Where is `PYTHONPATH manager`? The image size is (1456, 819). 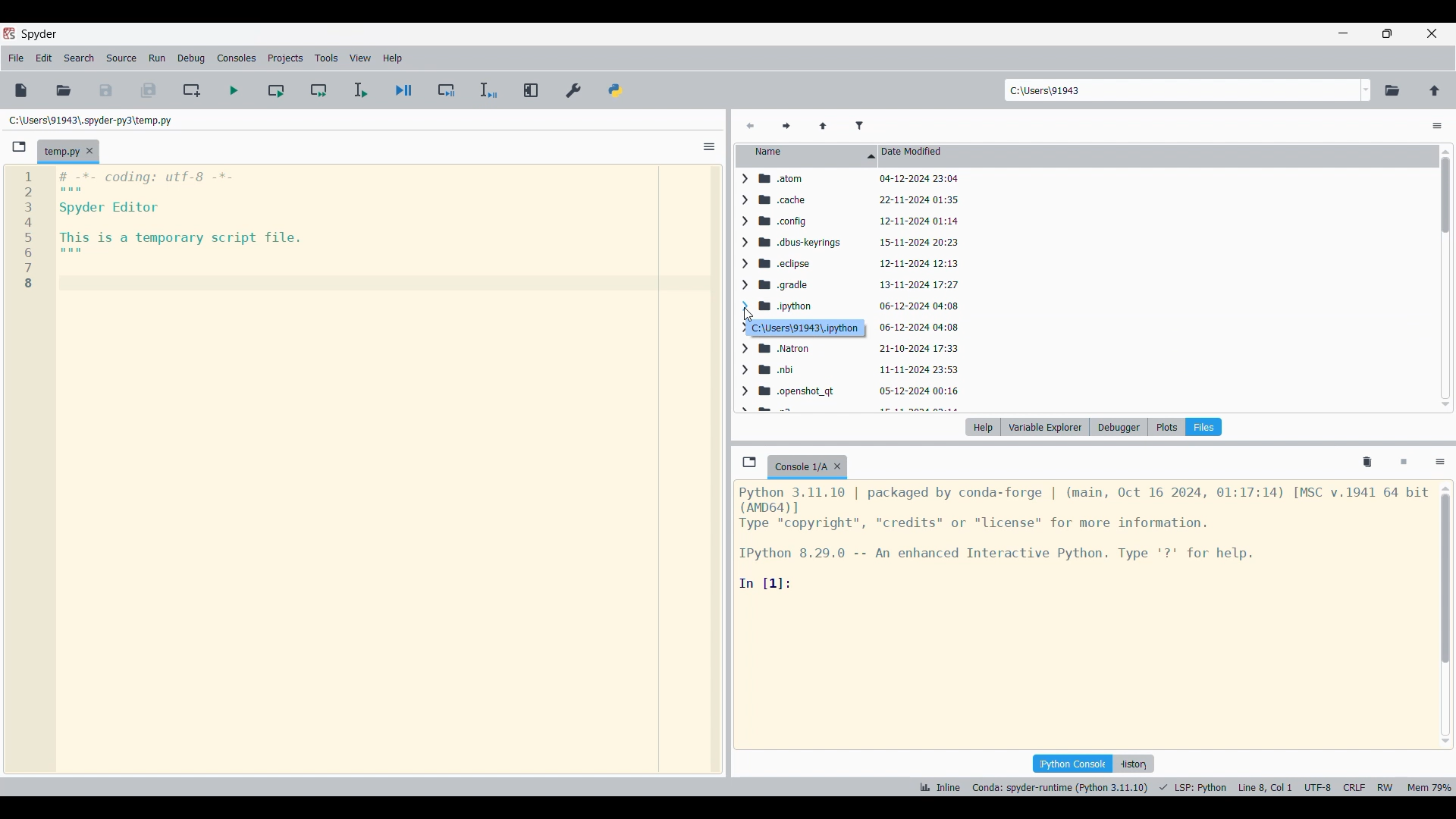
PYTHONPATH manager is located at coordinates (616, 91).